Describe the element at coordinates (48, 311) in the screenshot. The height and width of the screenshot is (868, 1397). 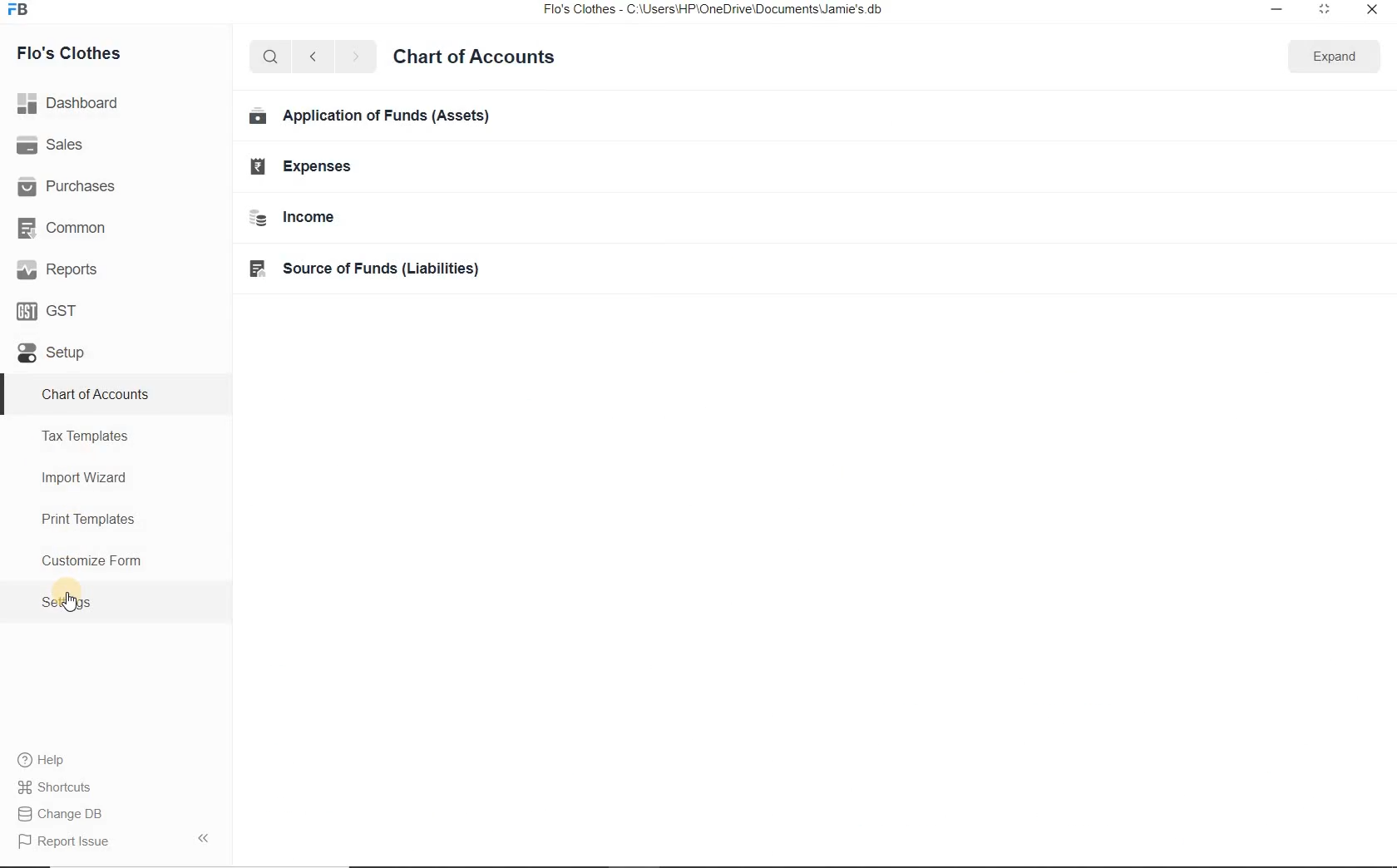
I see `GST` at that location.